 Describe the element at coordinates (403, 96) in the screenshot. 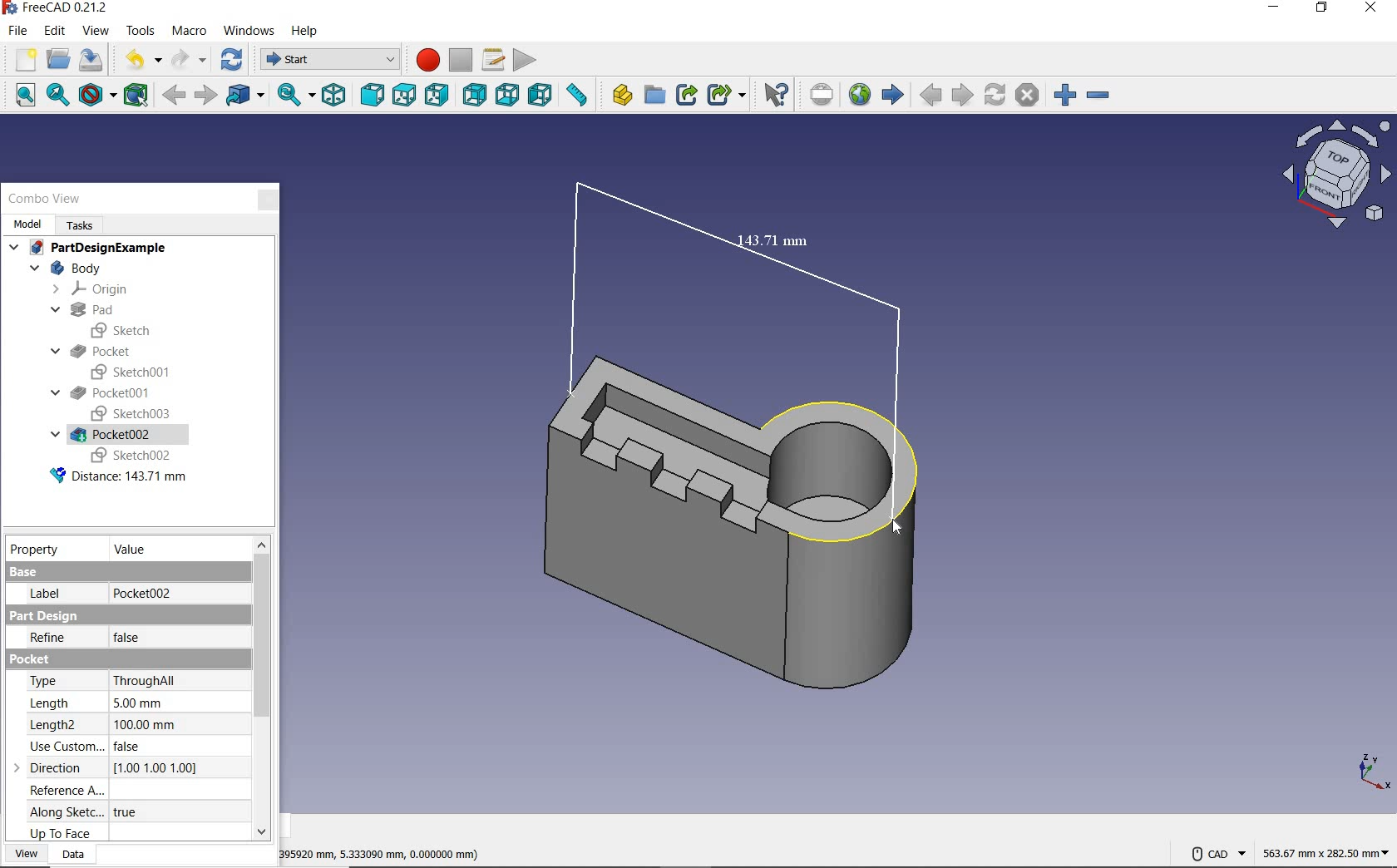

I see `top` at that location.